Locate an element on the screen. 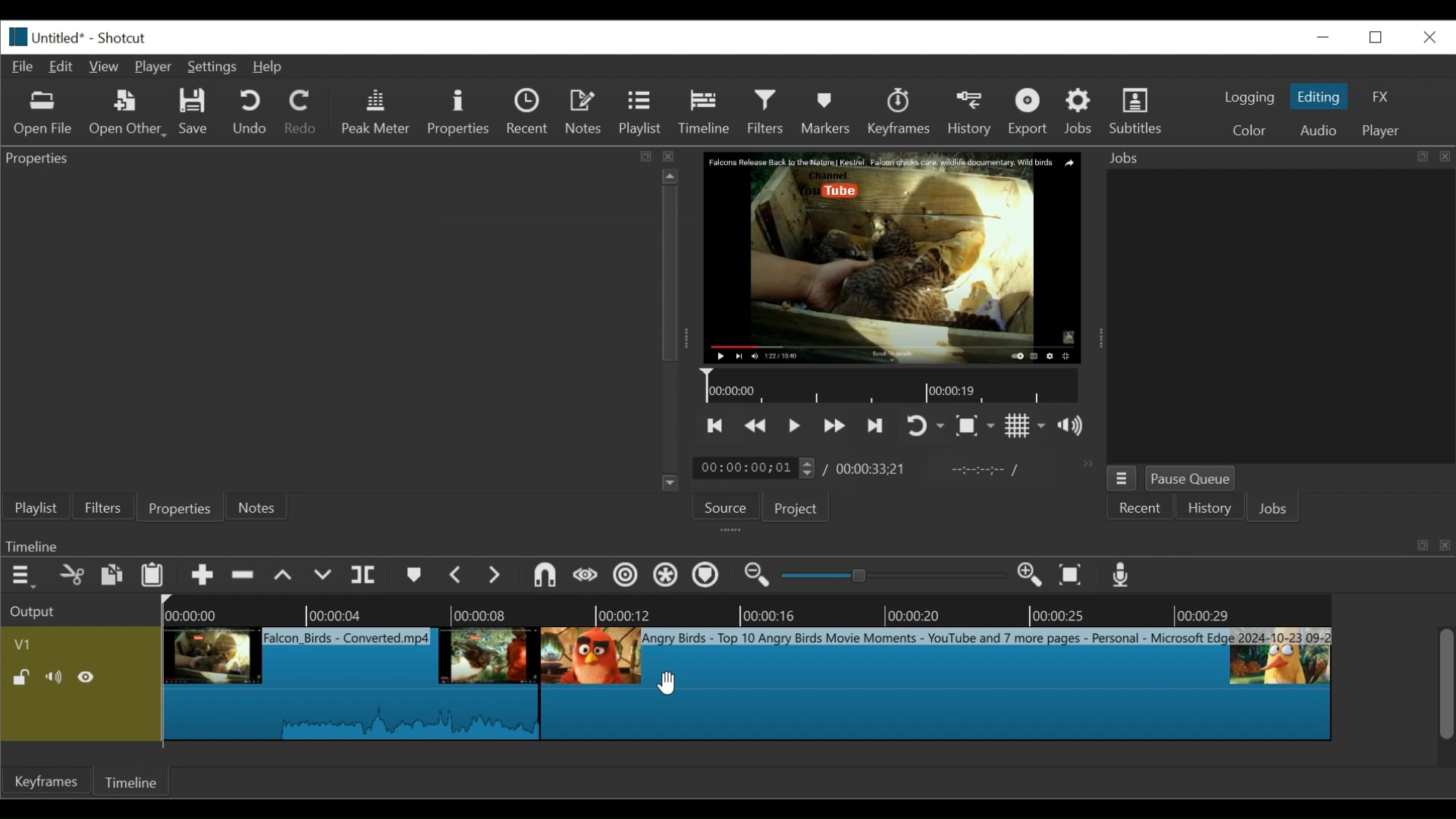 This screenshot has width=1456, height=819. Split at Playhead is located at coordinates (366, 574).